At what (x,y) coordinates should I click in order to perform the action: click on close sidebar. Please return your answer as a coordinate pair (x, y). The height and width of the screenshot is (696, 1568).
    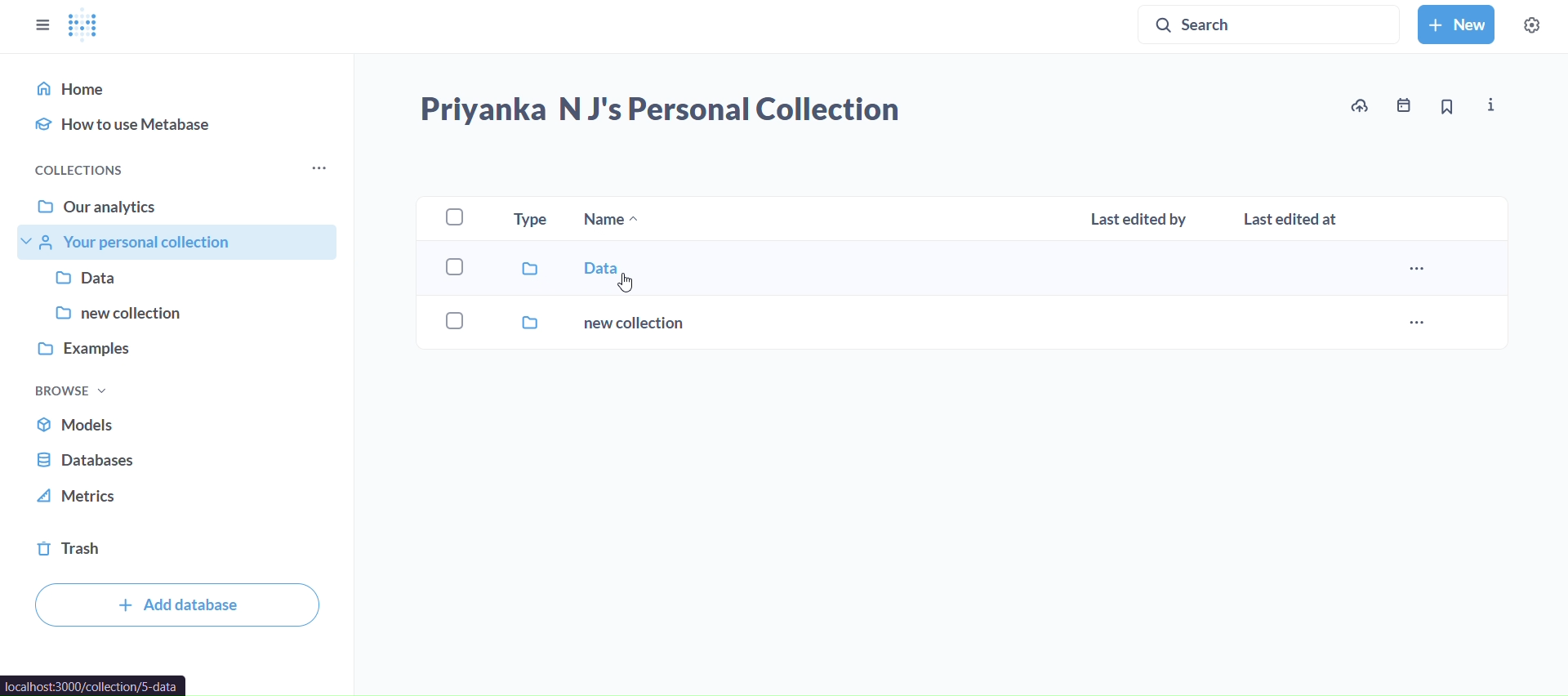
    Looking at the image, I should click on (45, 25).